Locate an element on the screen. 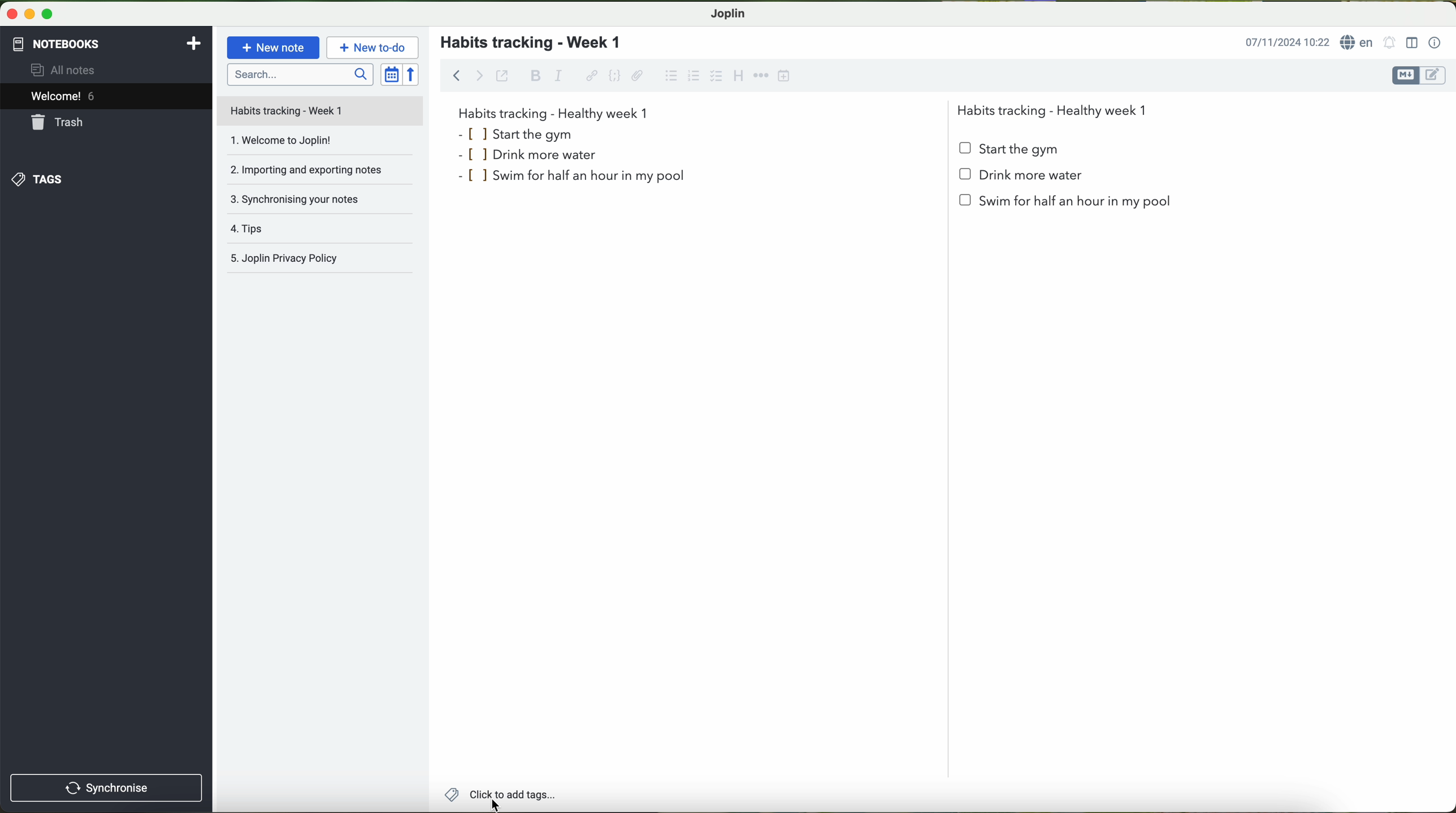 The height and width of the screenshot is (813, 1456). start the gym is located at coordinates (518, 133).